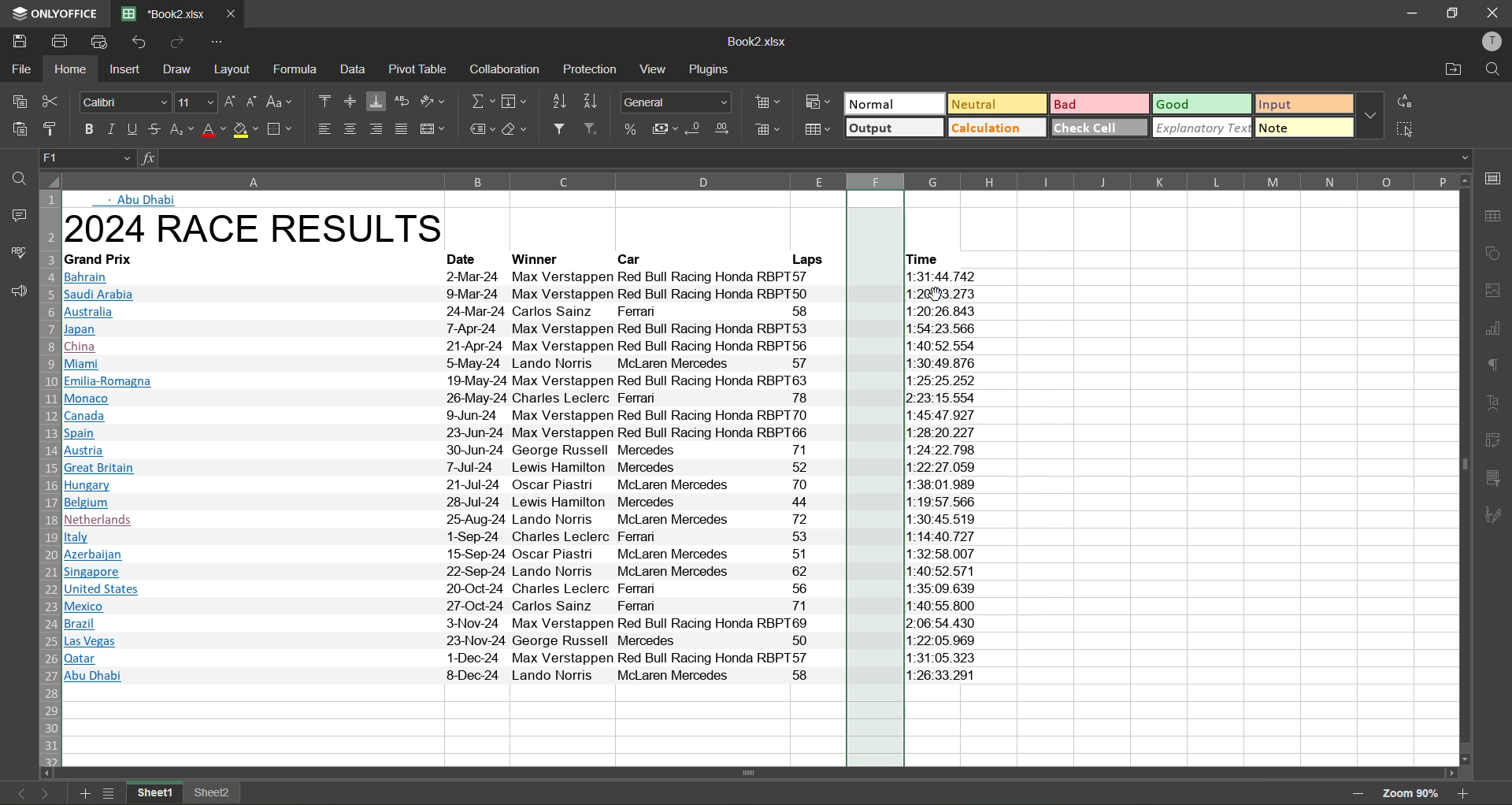  What do you see at coordinates (13, 213) in the screenshot?
I see `comments` at bounding box center [13, 213].